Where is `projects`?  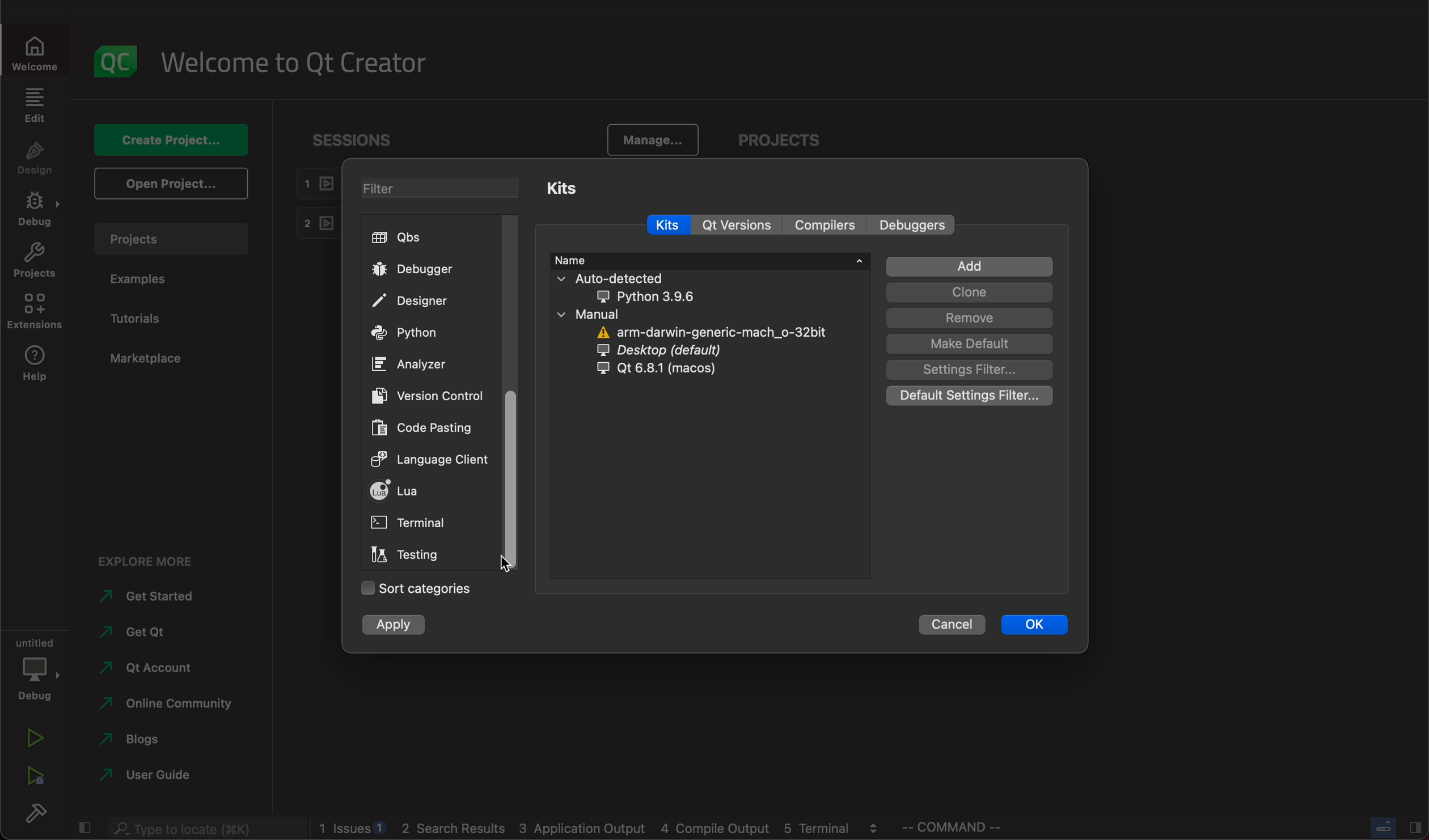
projects is located at coordinates (171, 239).